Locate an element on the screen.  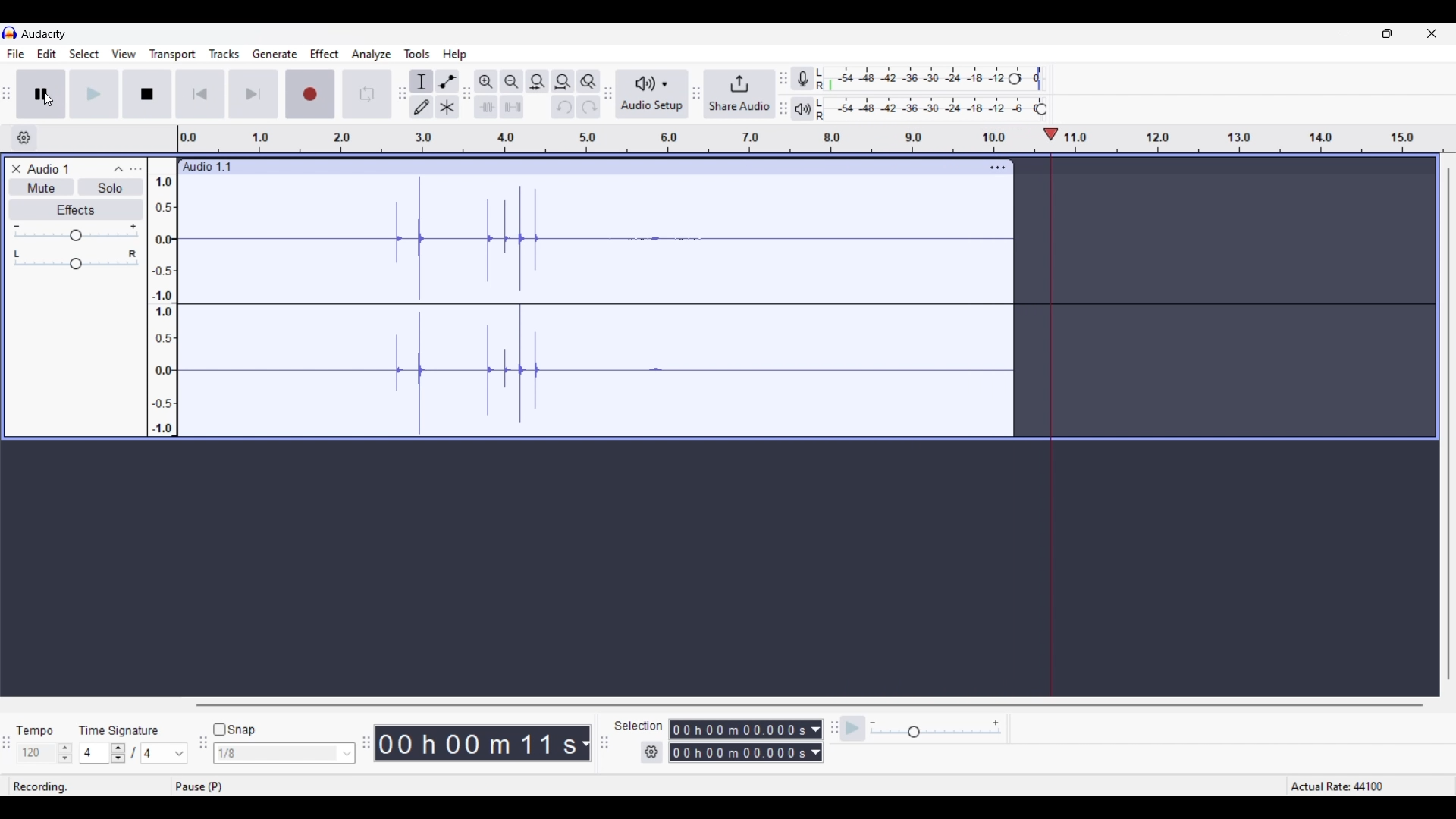
Slider to change playback speed is located at coordinates (936, 733).